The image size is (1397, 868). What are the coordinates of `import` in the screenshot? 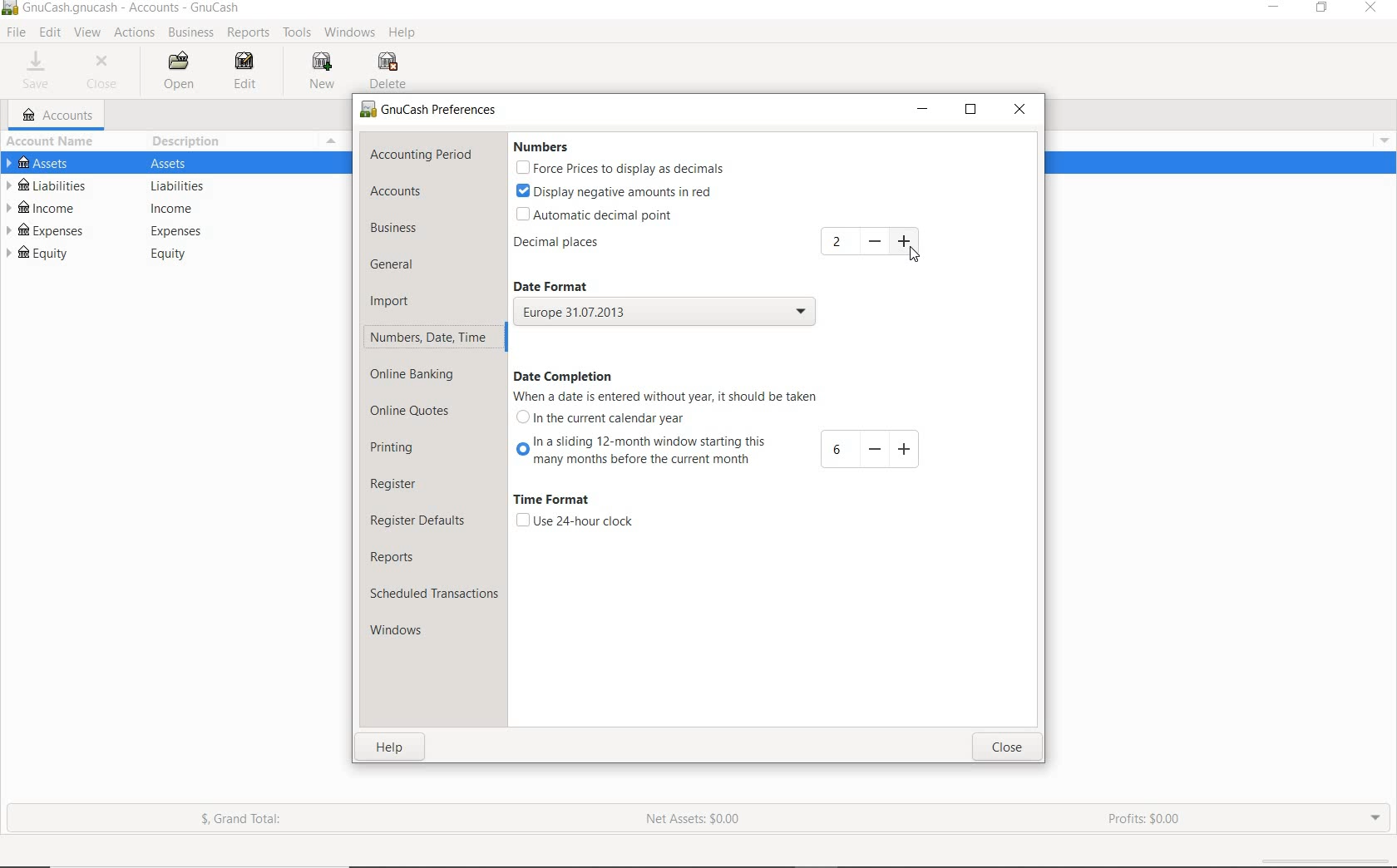 It's located at (391, 303).